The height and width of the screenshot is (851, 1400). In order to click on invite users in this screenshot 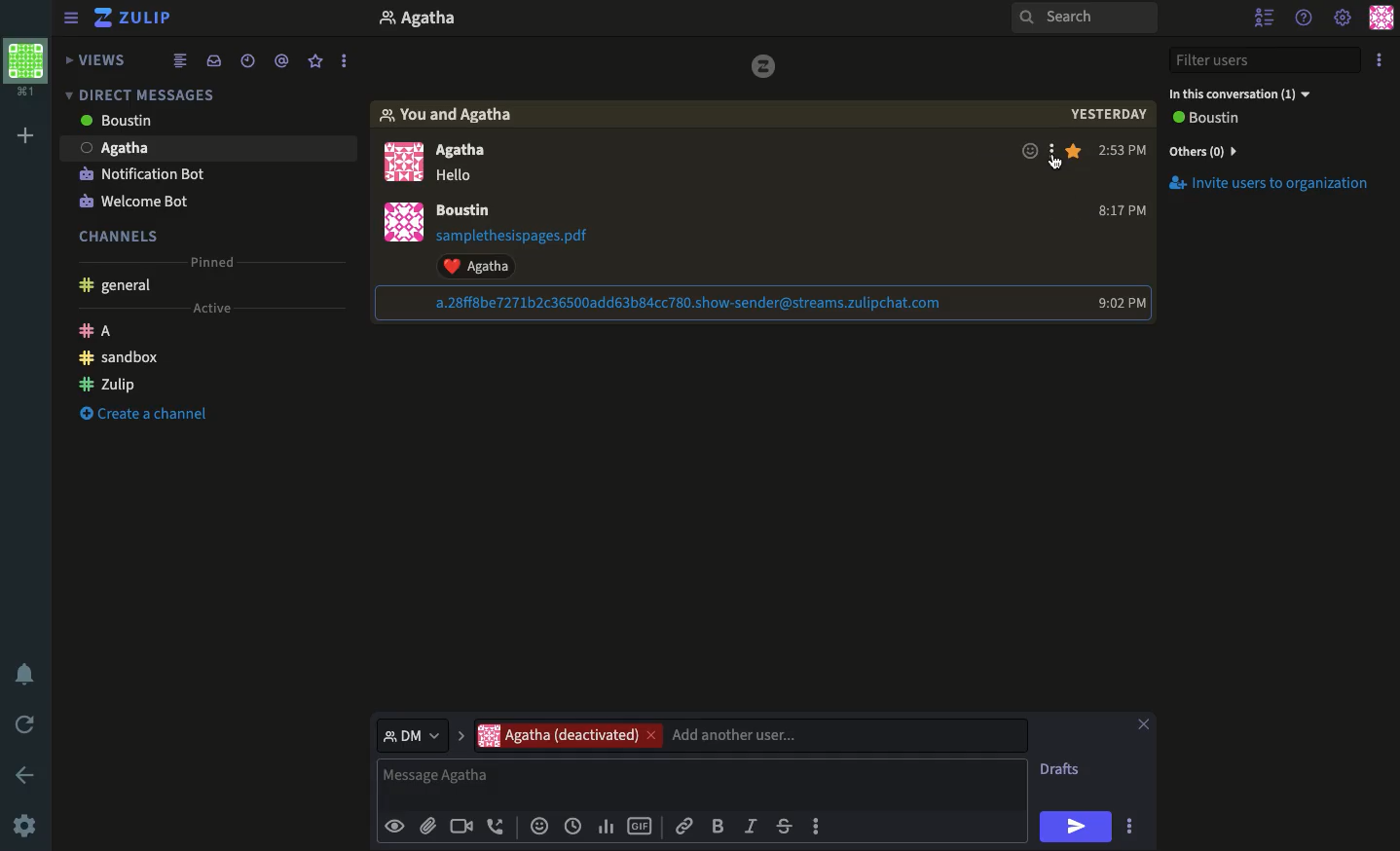, I will do `click(1274, 191)`.